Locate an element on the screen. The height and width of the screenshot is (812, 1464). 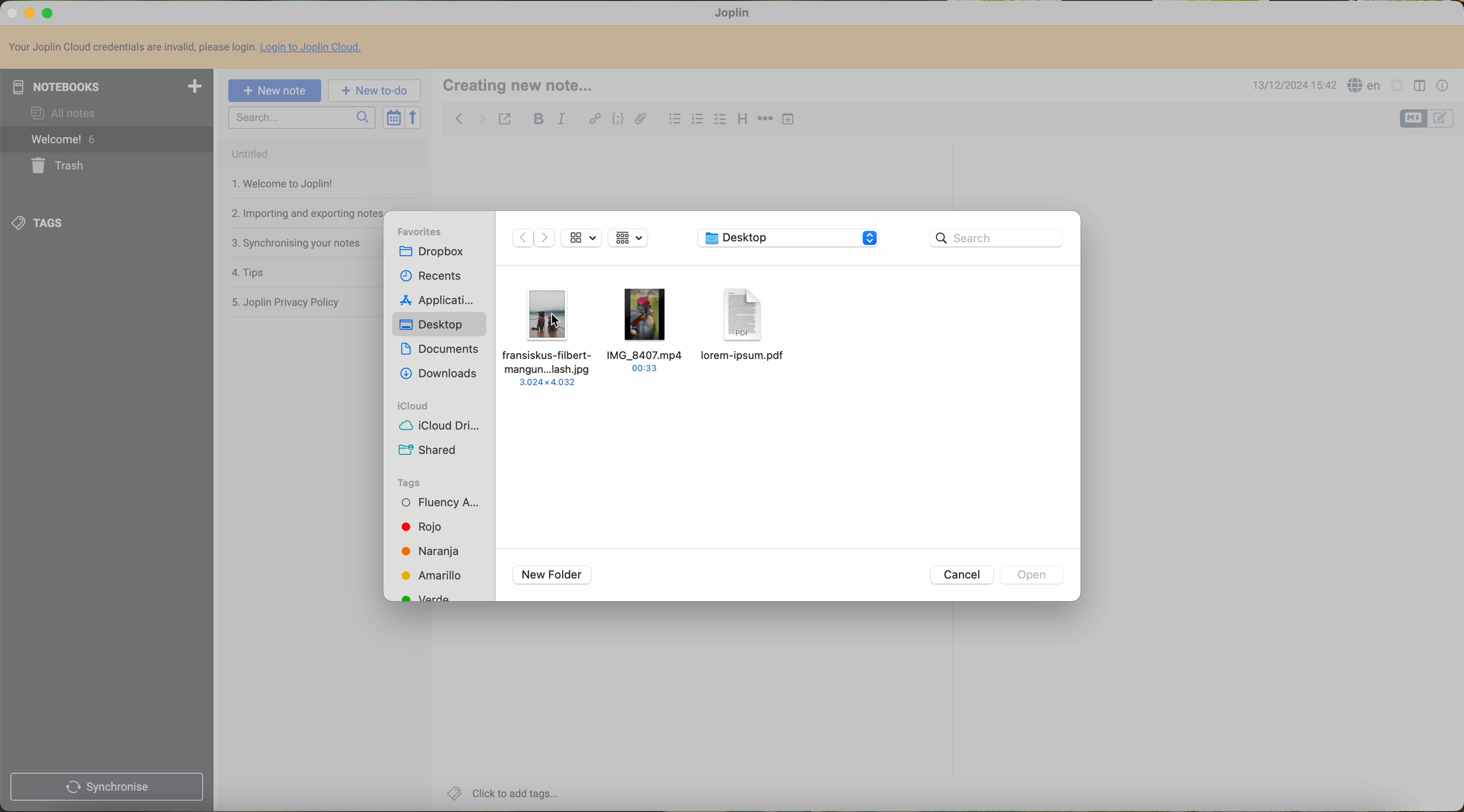
toggle sort order field is located at coordinates (392, 118).